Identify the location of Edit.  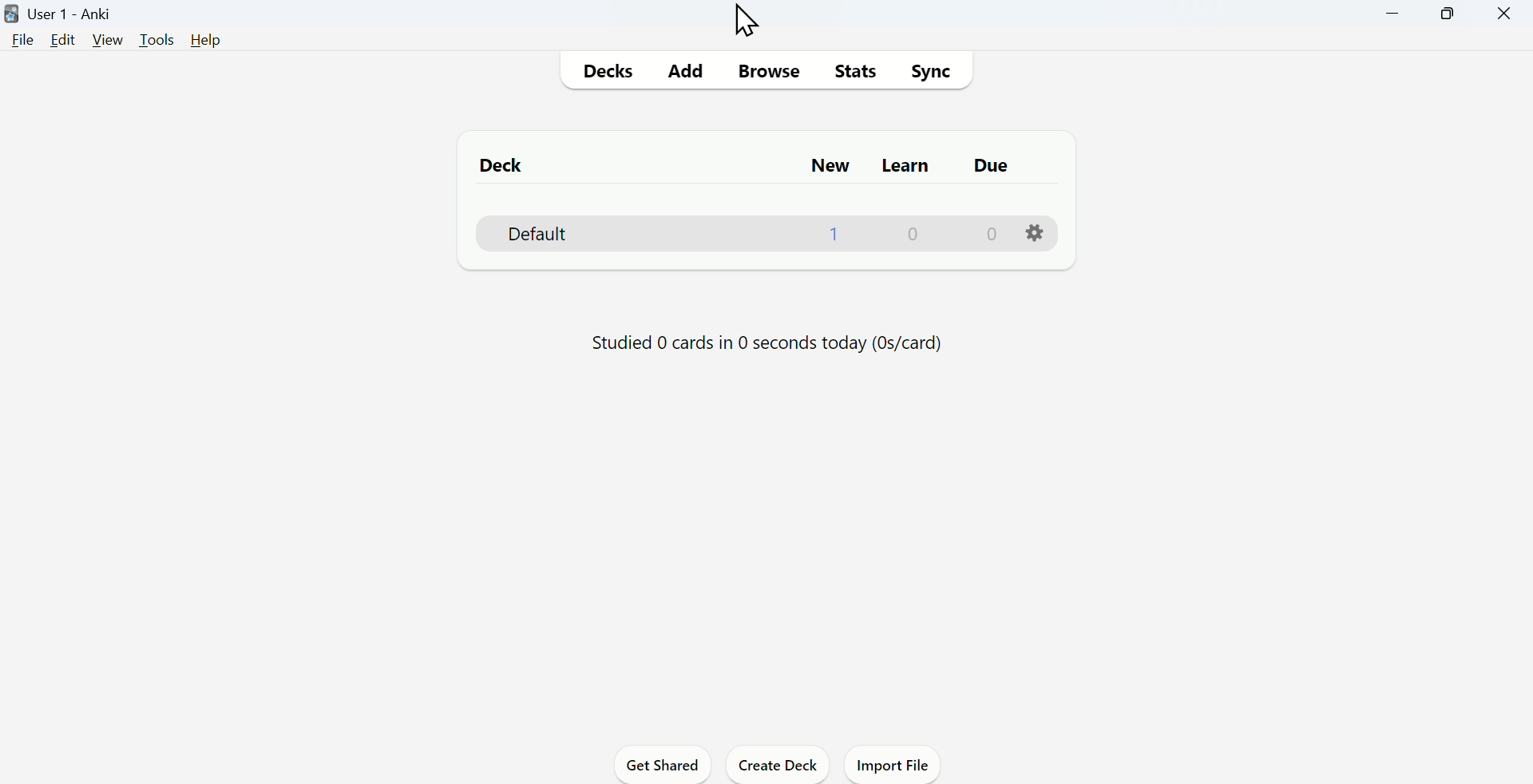
(62, 41).